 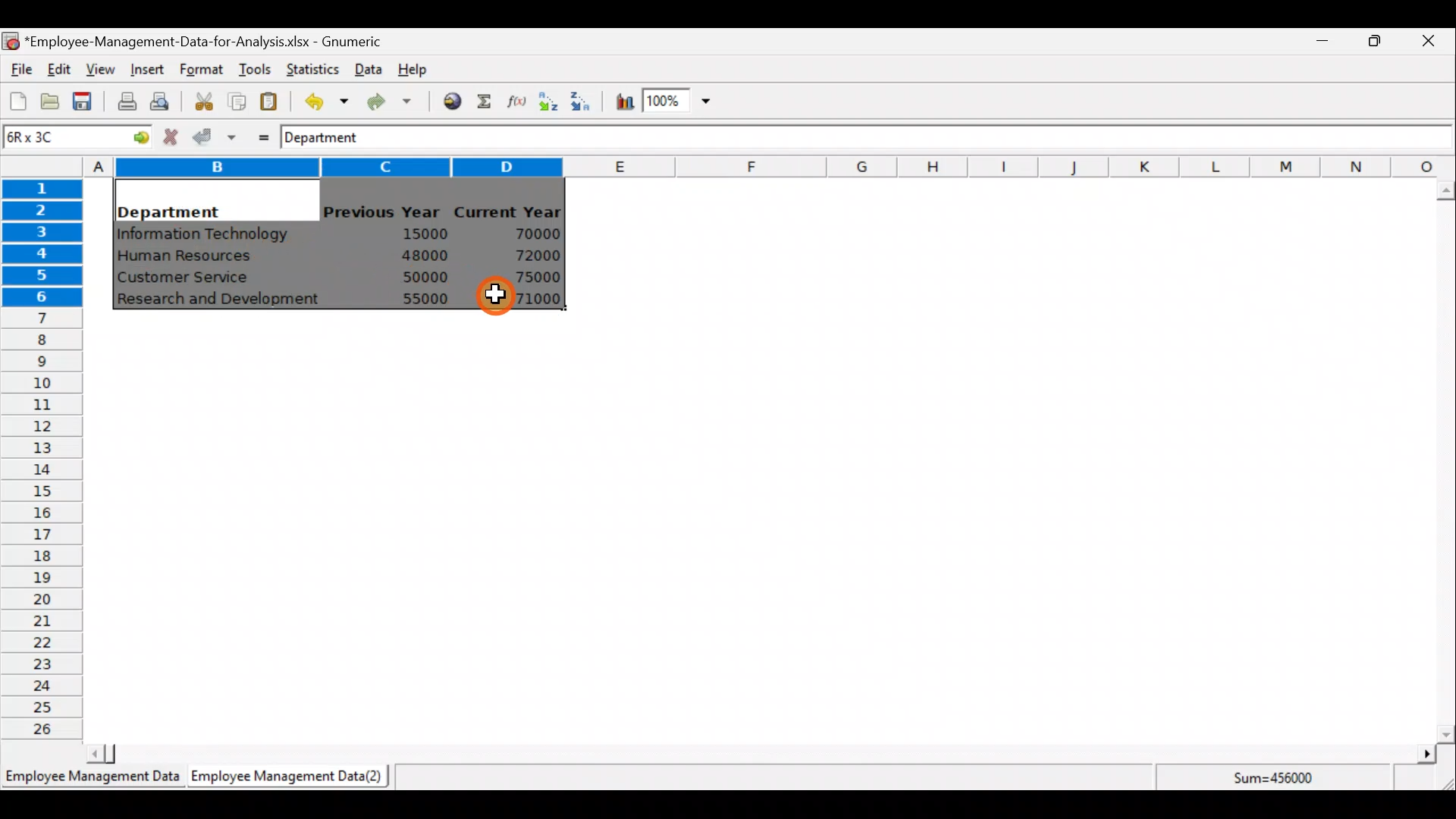 I want to click on Research and Development, so click(x=224, y=301).